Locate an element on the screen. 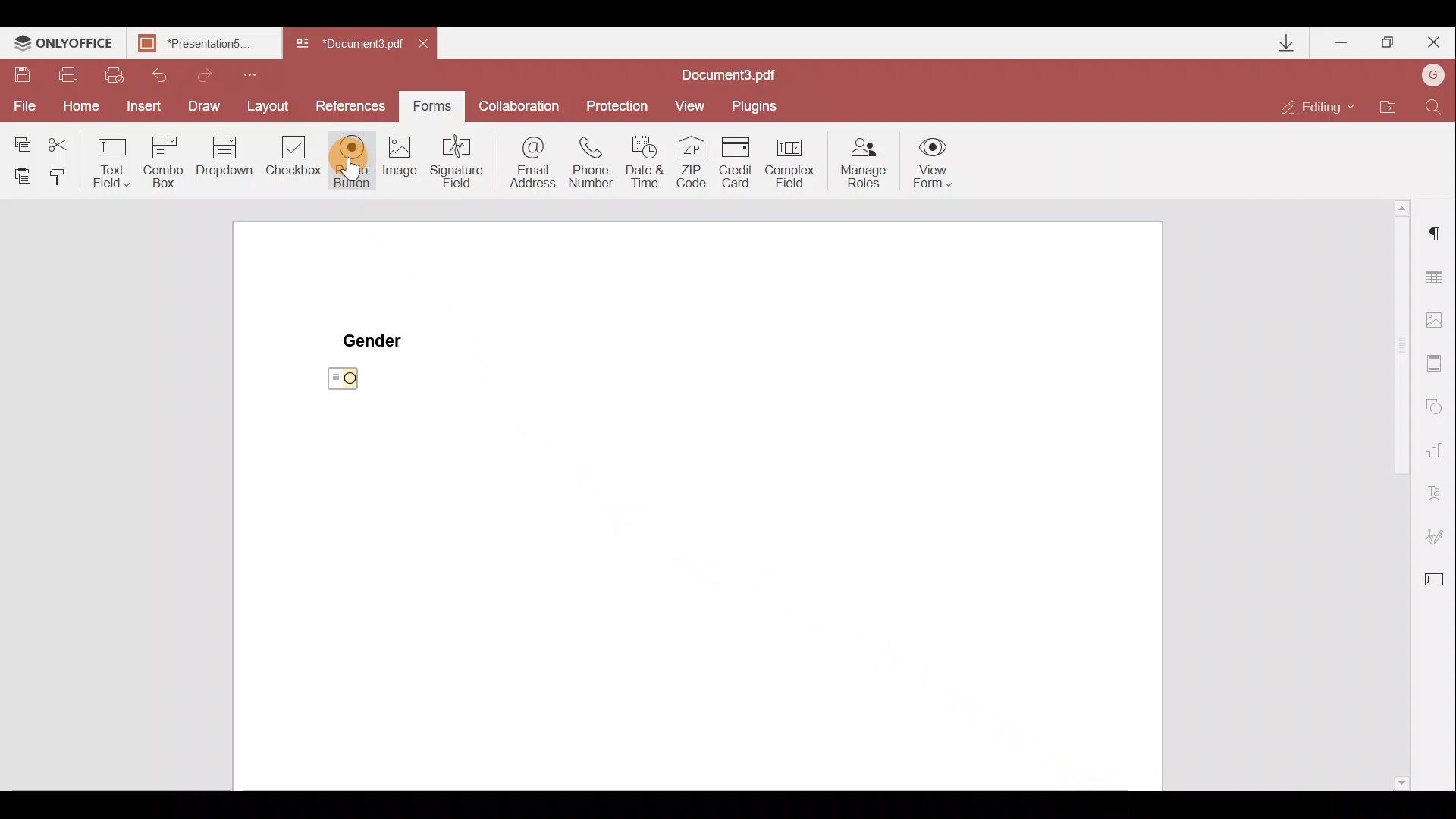  Form settings is located at coordinates (1438, 583).